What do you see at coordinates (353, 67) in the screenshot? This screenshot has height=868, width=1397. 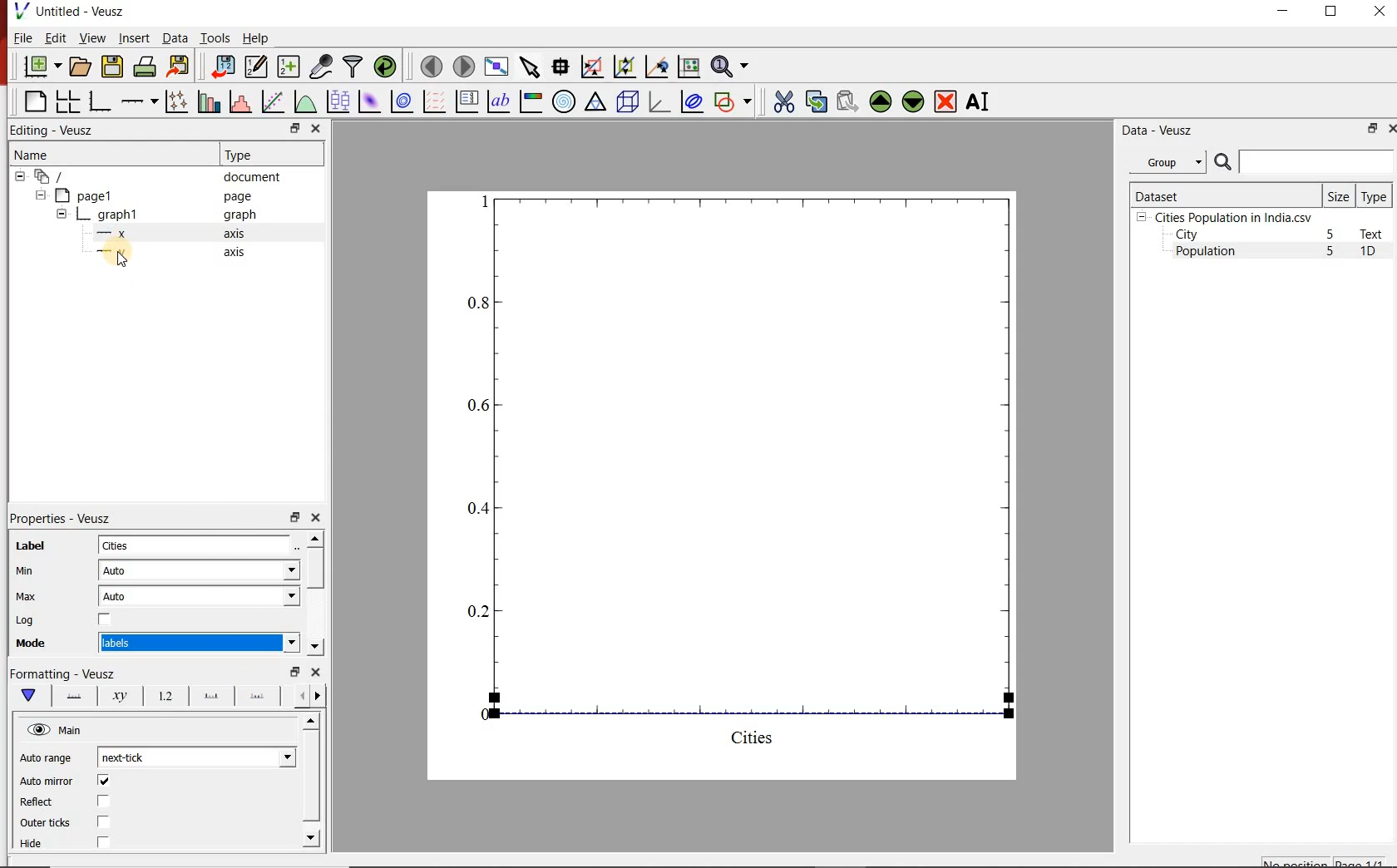 I see `filter data` at bounding box center [353, 67].